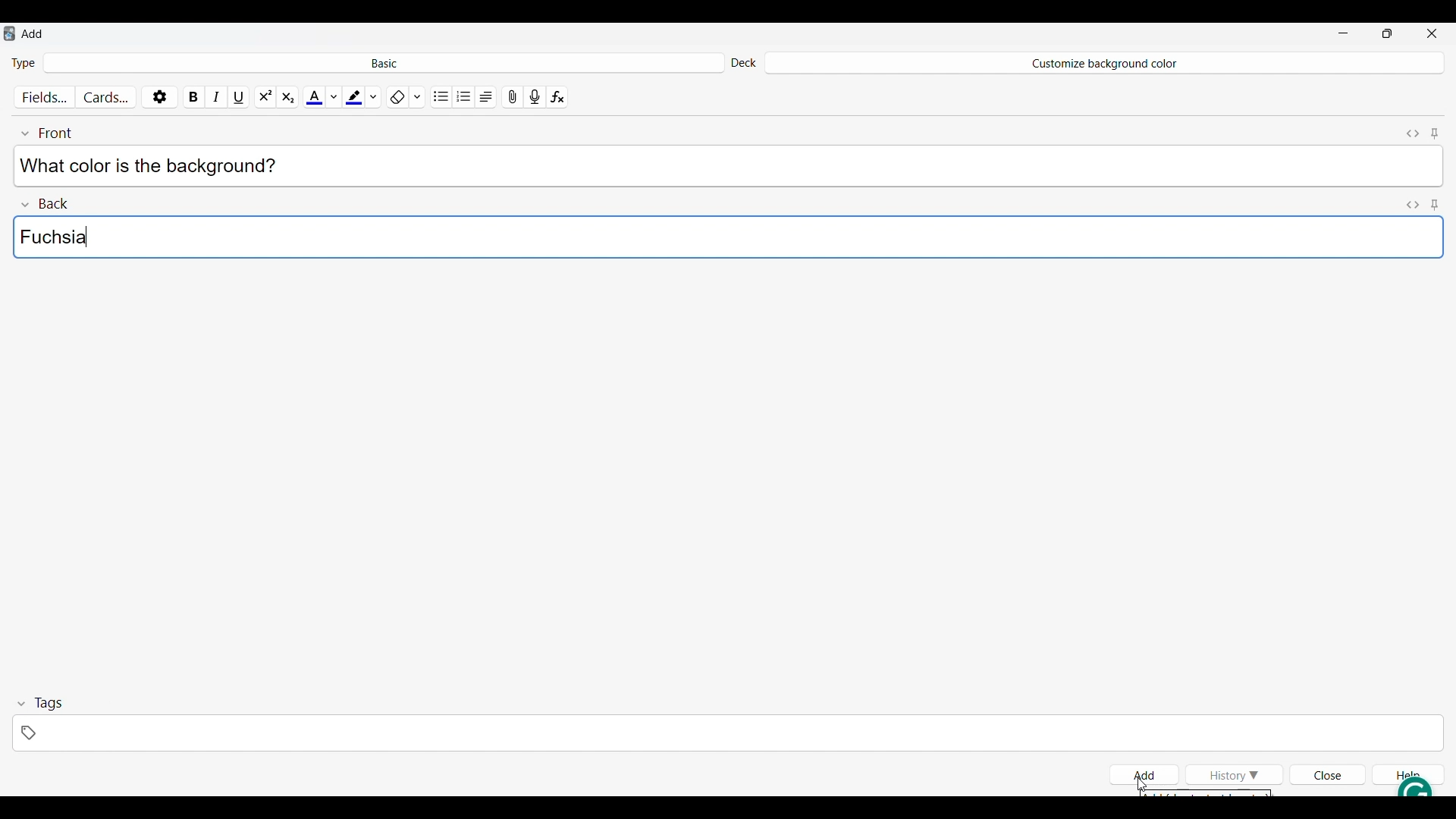  Describe the element at coordinates (1144, 776) in the screenshot. I see `` at that location.